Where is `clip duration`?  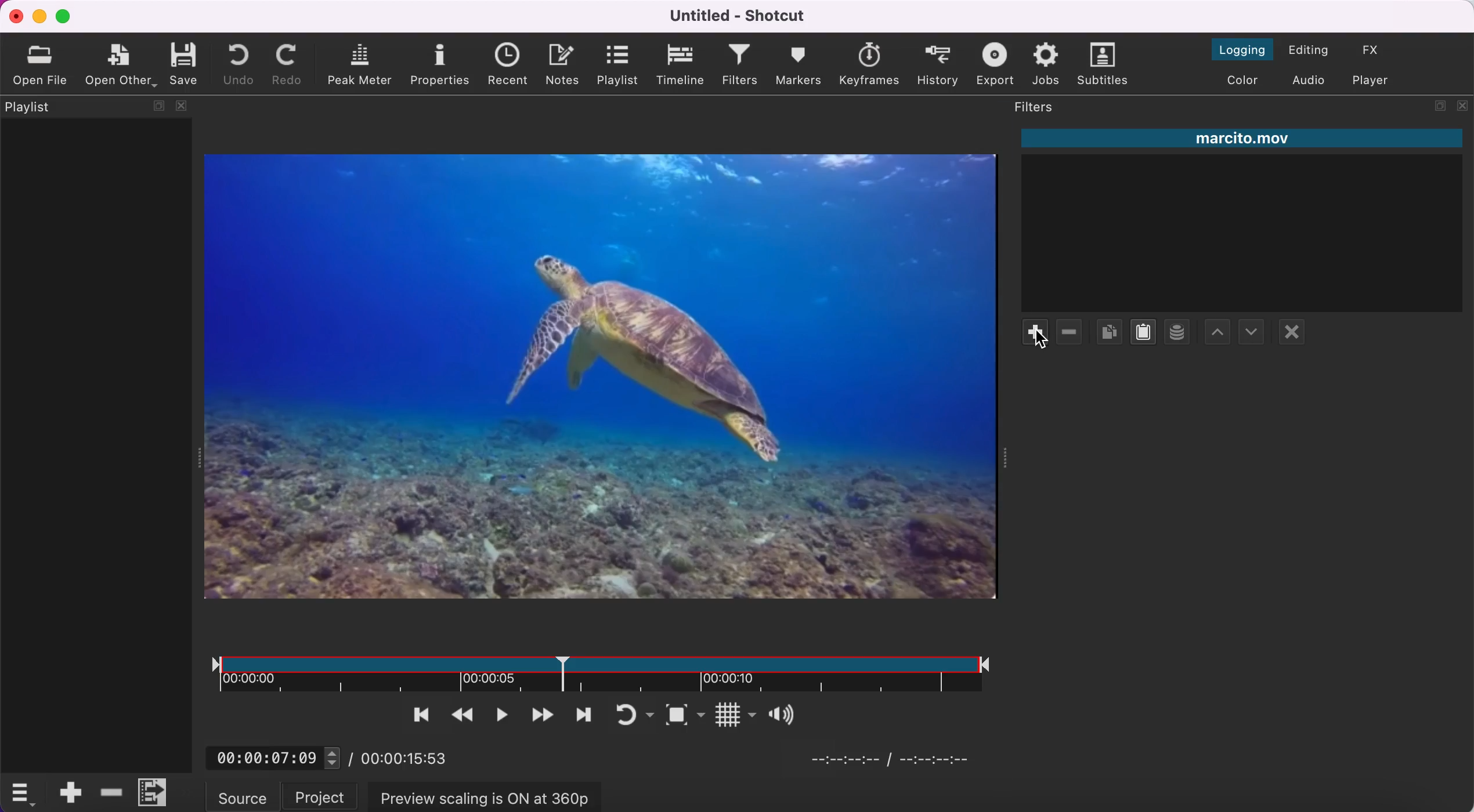
clip duration is located at coordinates (591, 670).